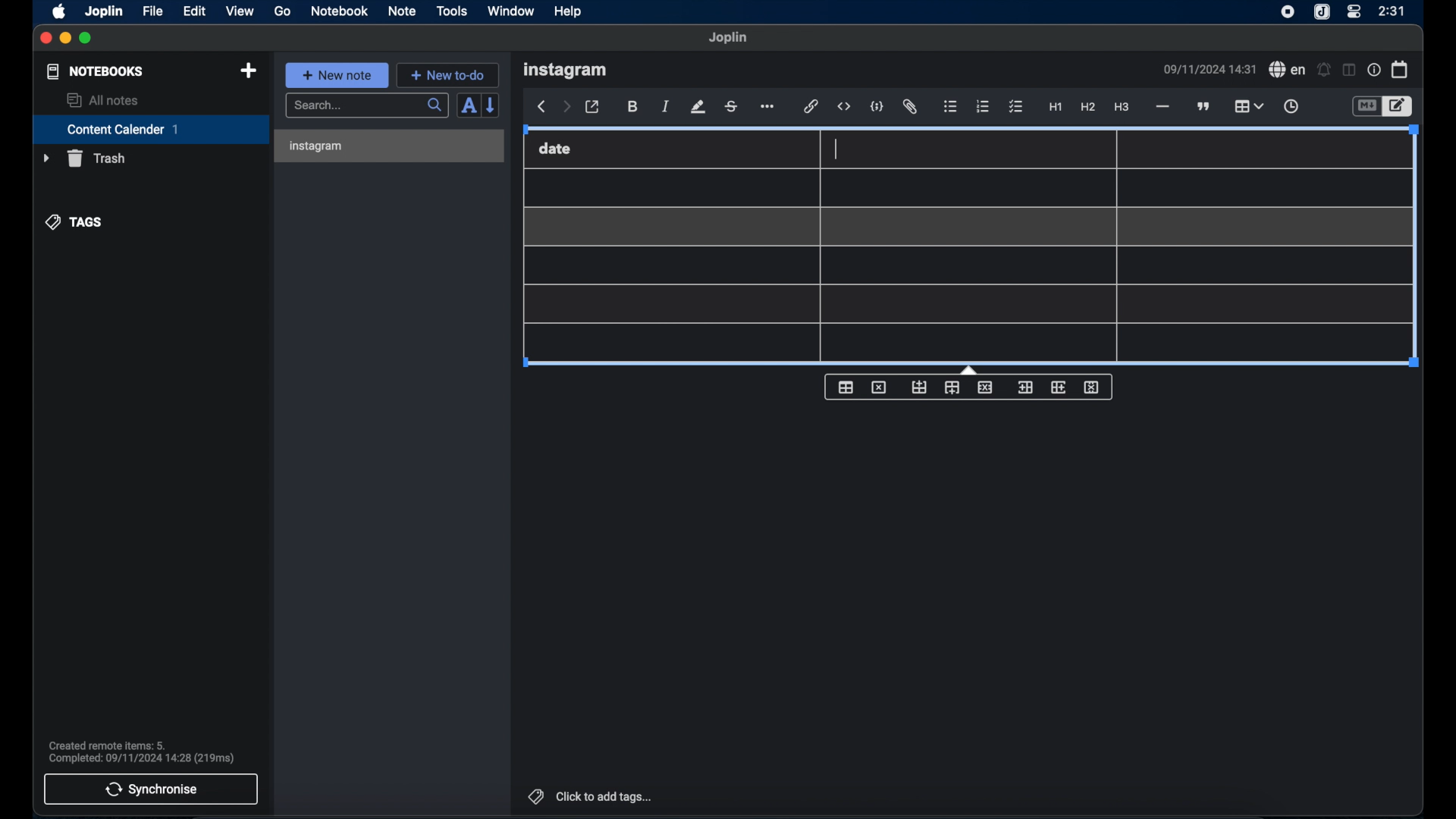 The width and height of the screenshot is (1456, 819). What do you see at coordinates (140, 752) in the screenshot?
I see `sync notification` at bounding box center [140, 752].